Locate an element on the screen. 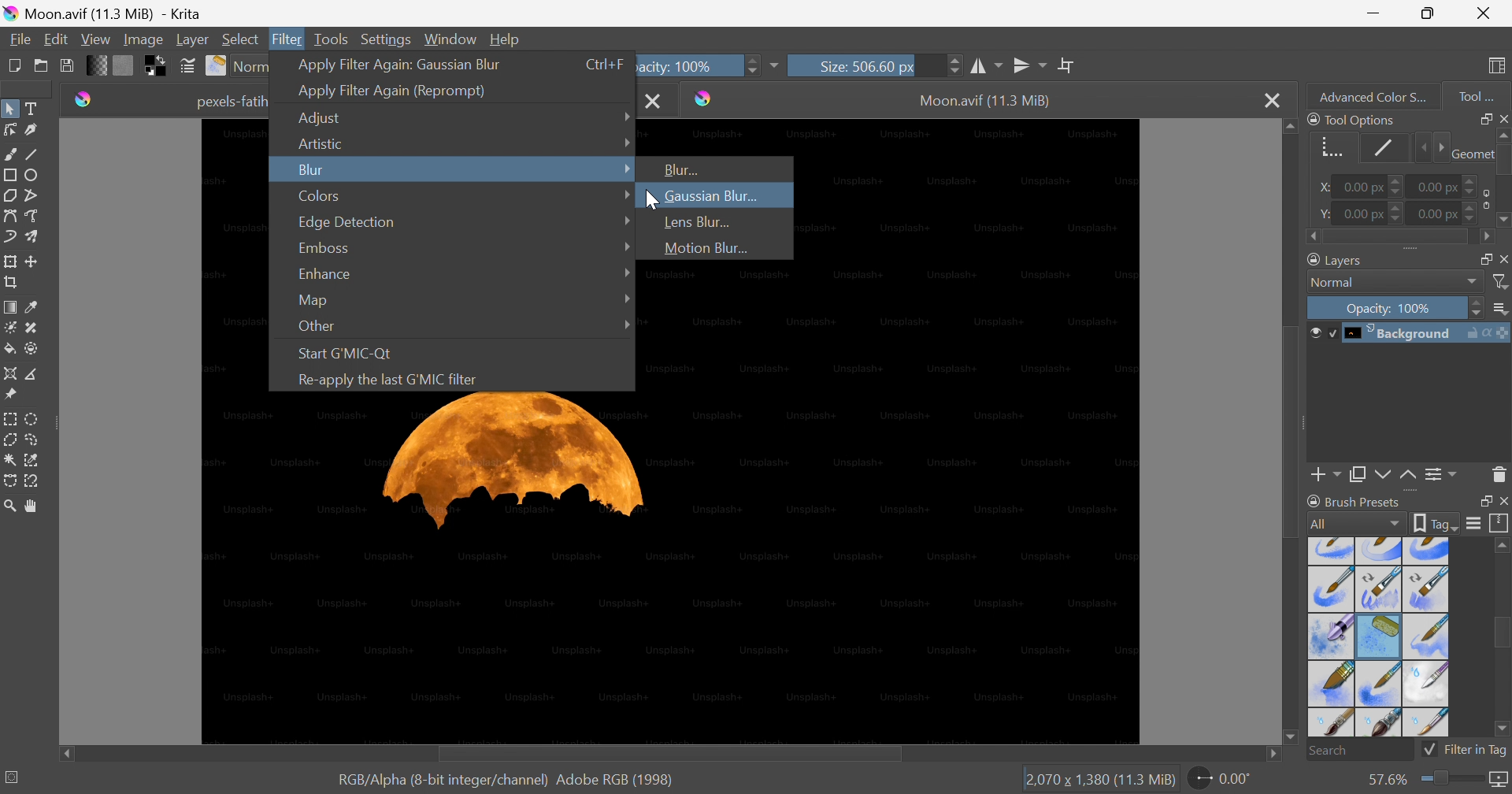 This screenshot has height=794, width=1512. Transform a layer or a selection is located at coordinates (9, 260).